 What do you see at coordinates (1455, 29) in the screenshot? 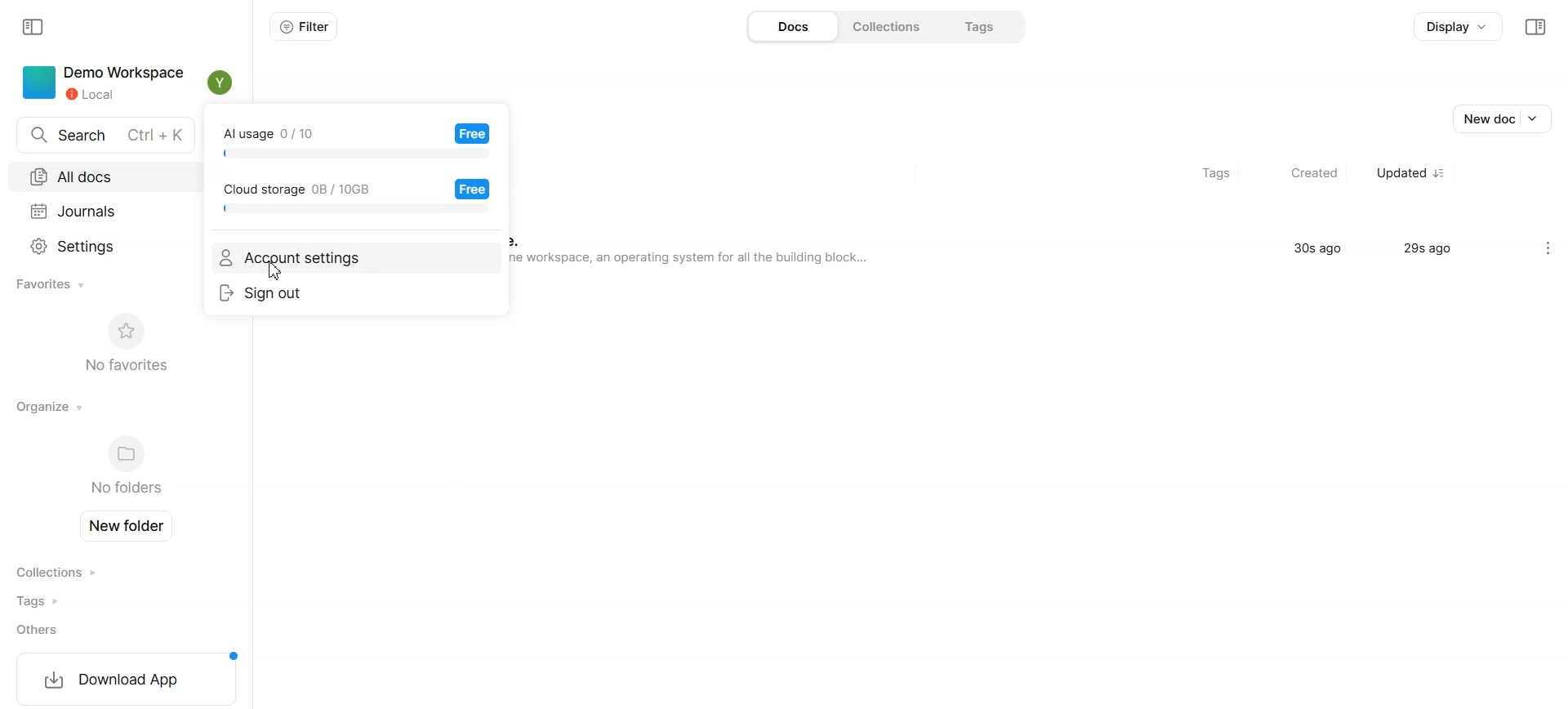
I see `Display` at bounding box center [1455, 29].